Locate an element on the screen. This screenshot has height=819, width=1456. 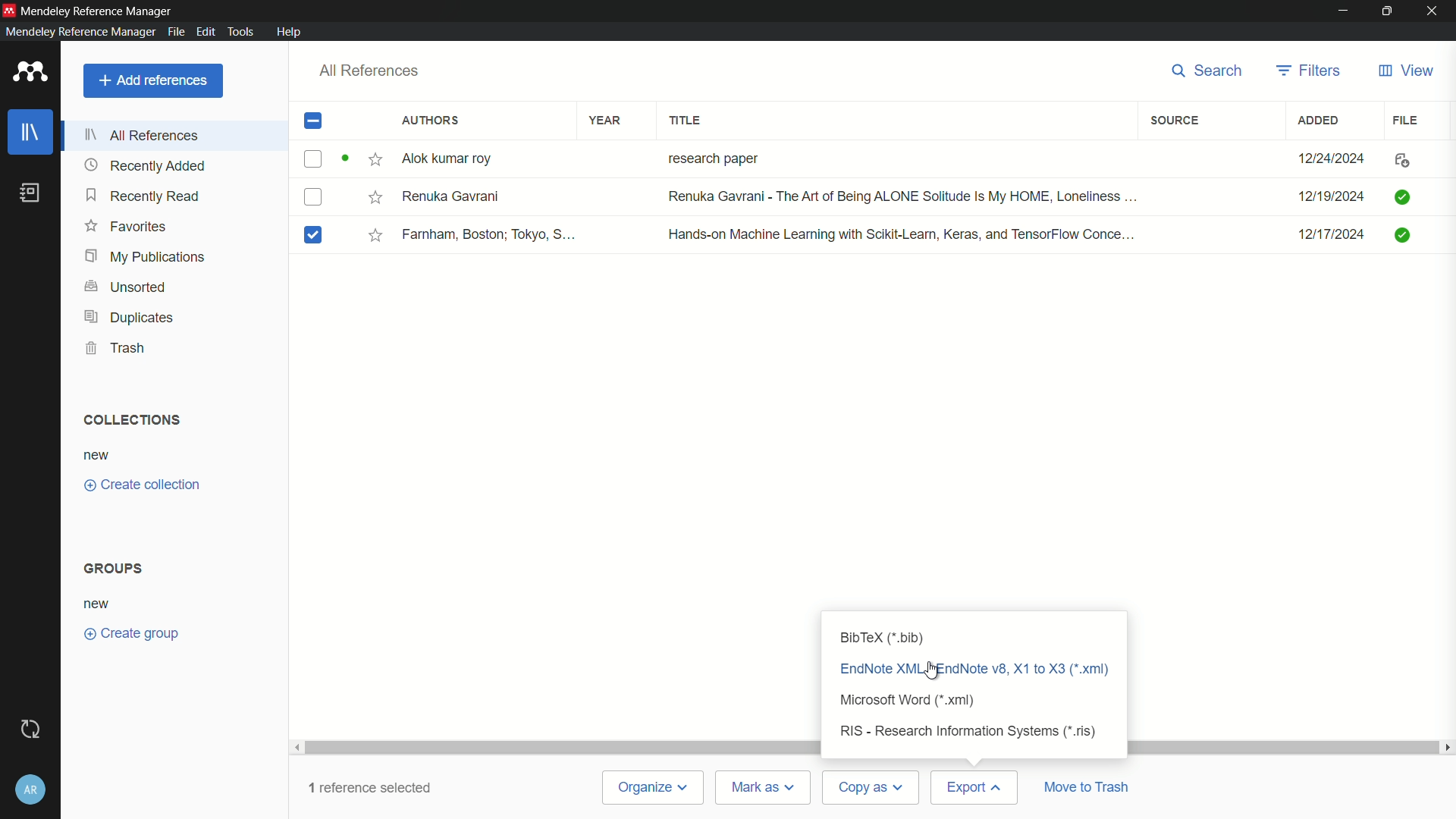
trash is located at coordinates (117, 347).